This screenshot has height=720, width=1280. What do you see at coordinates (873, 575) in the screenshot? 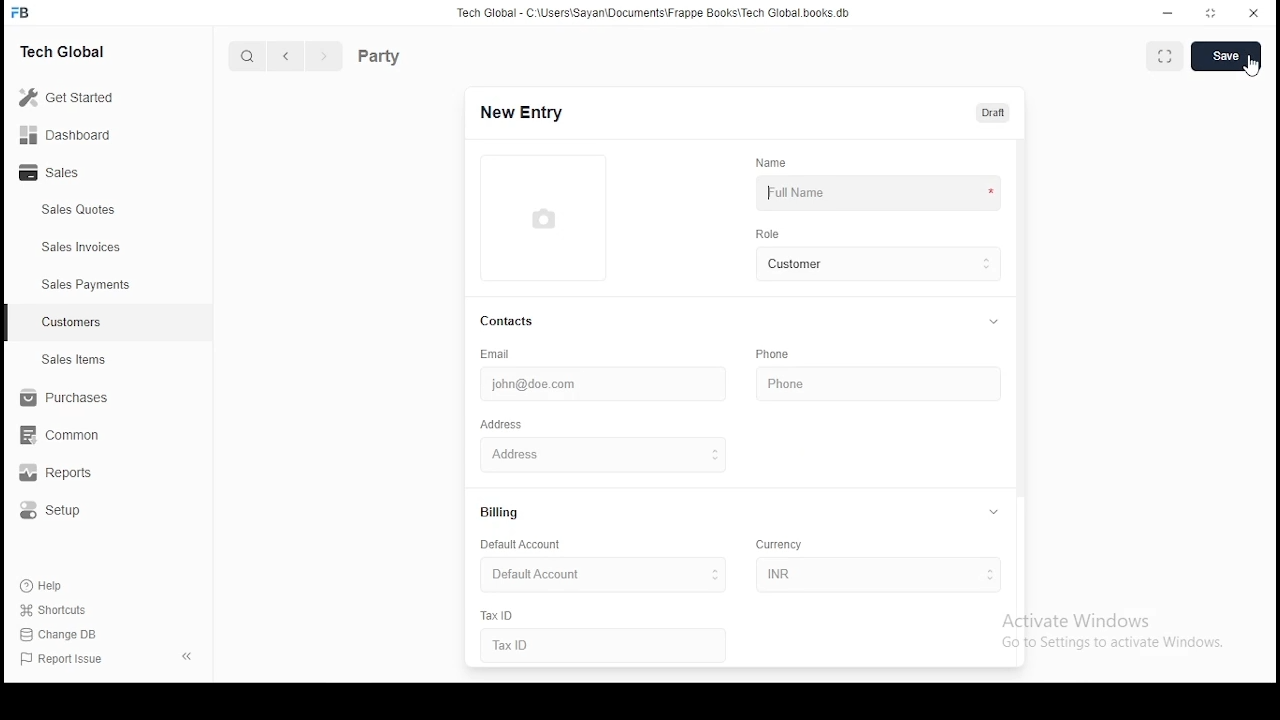
I see `inr` at bounding box center [873, 575].